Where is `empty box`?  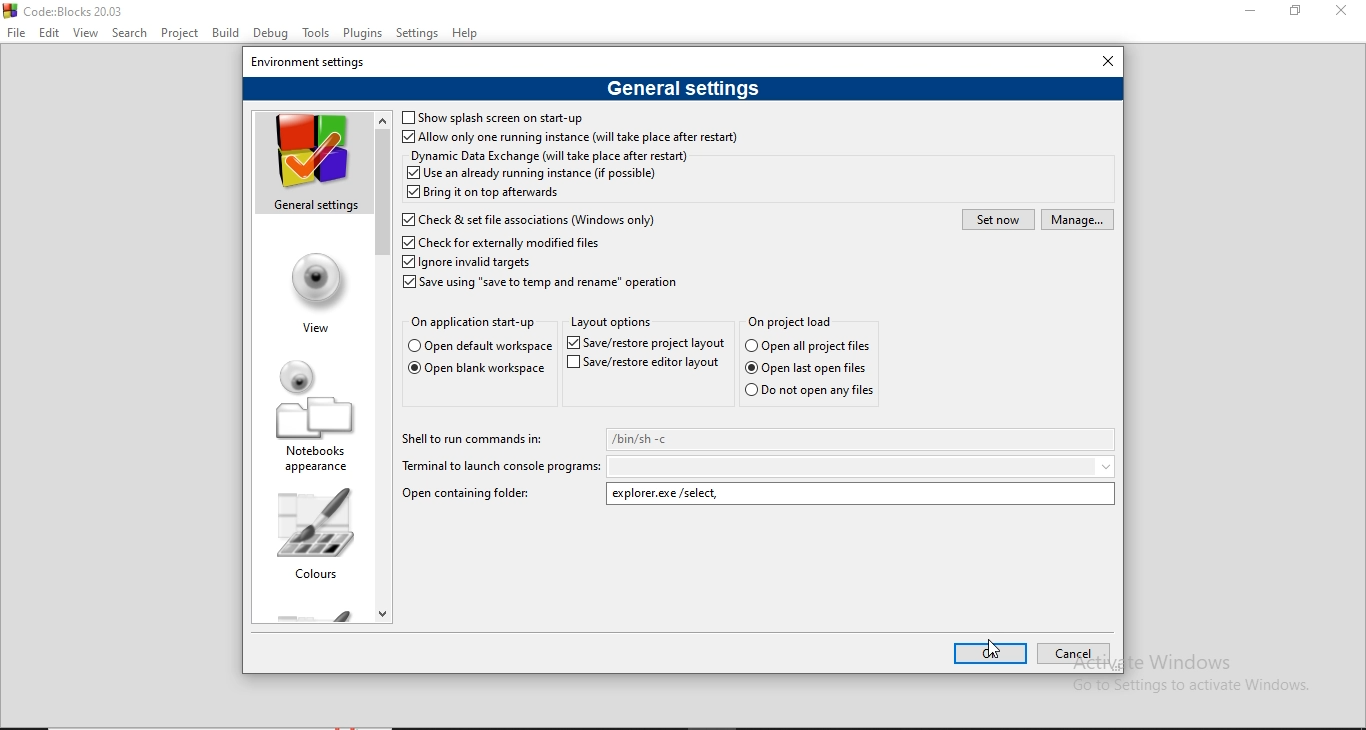 empty box is located at coordinates (863, 466).